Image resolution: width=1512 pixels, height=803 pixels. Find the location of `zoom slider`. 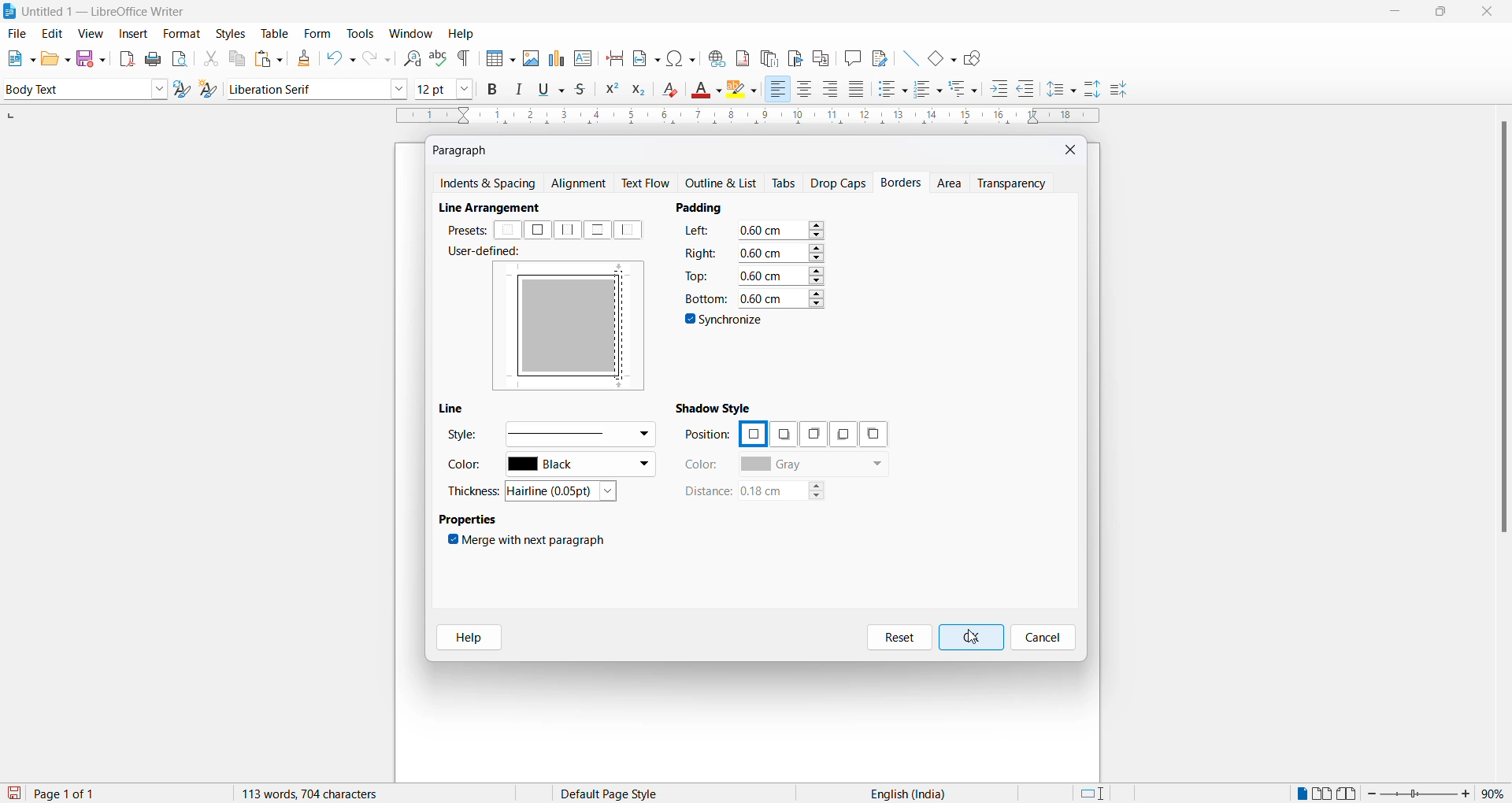

zoom slider is located at coordinates (1421, 794).